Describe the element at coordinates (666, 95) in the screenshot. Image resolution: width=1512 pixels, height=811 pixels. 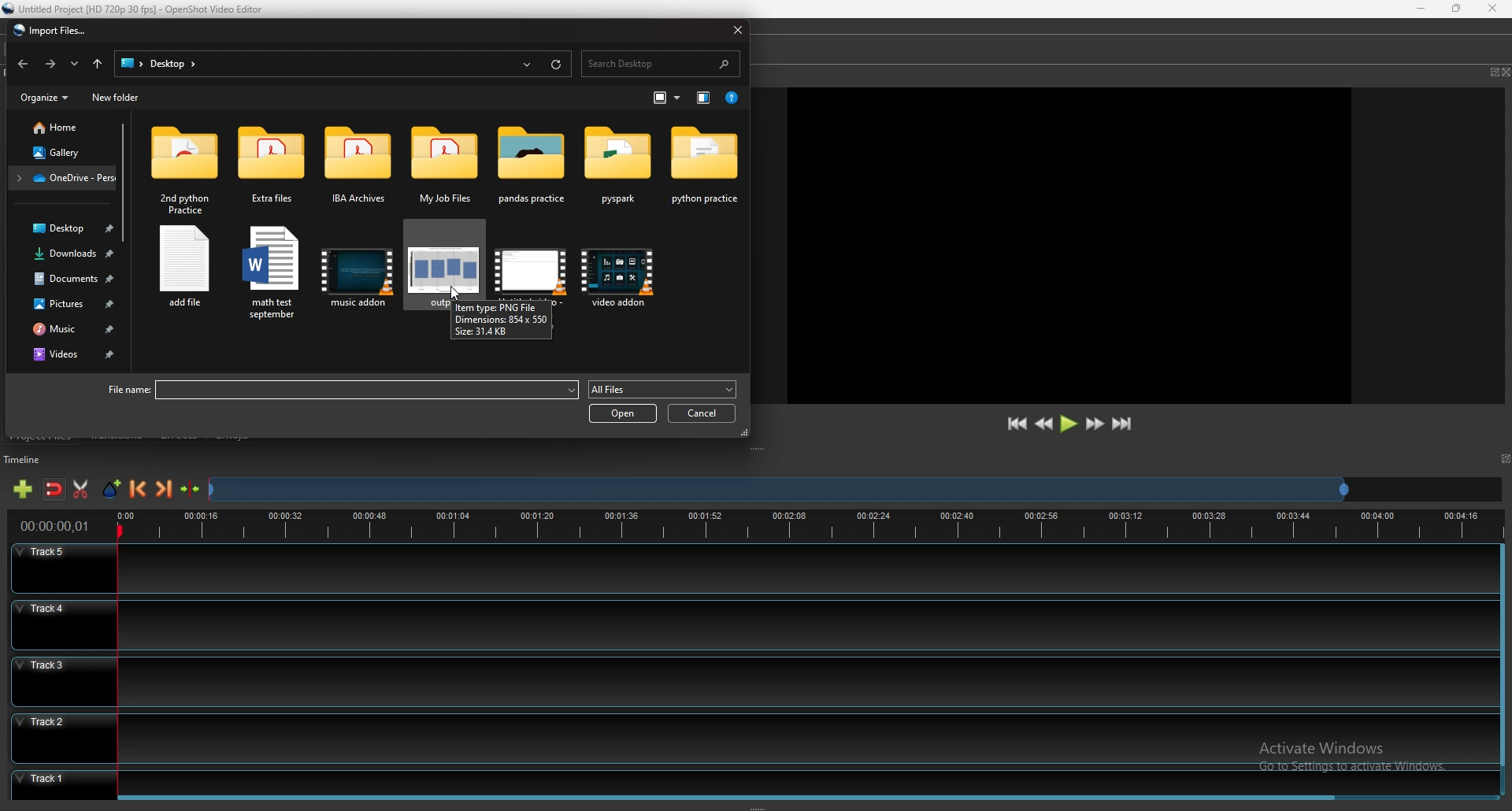
I see `more` at that location.